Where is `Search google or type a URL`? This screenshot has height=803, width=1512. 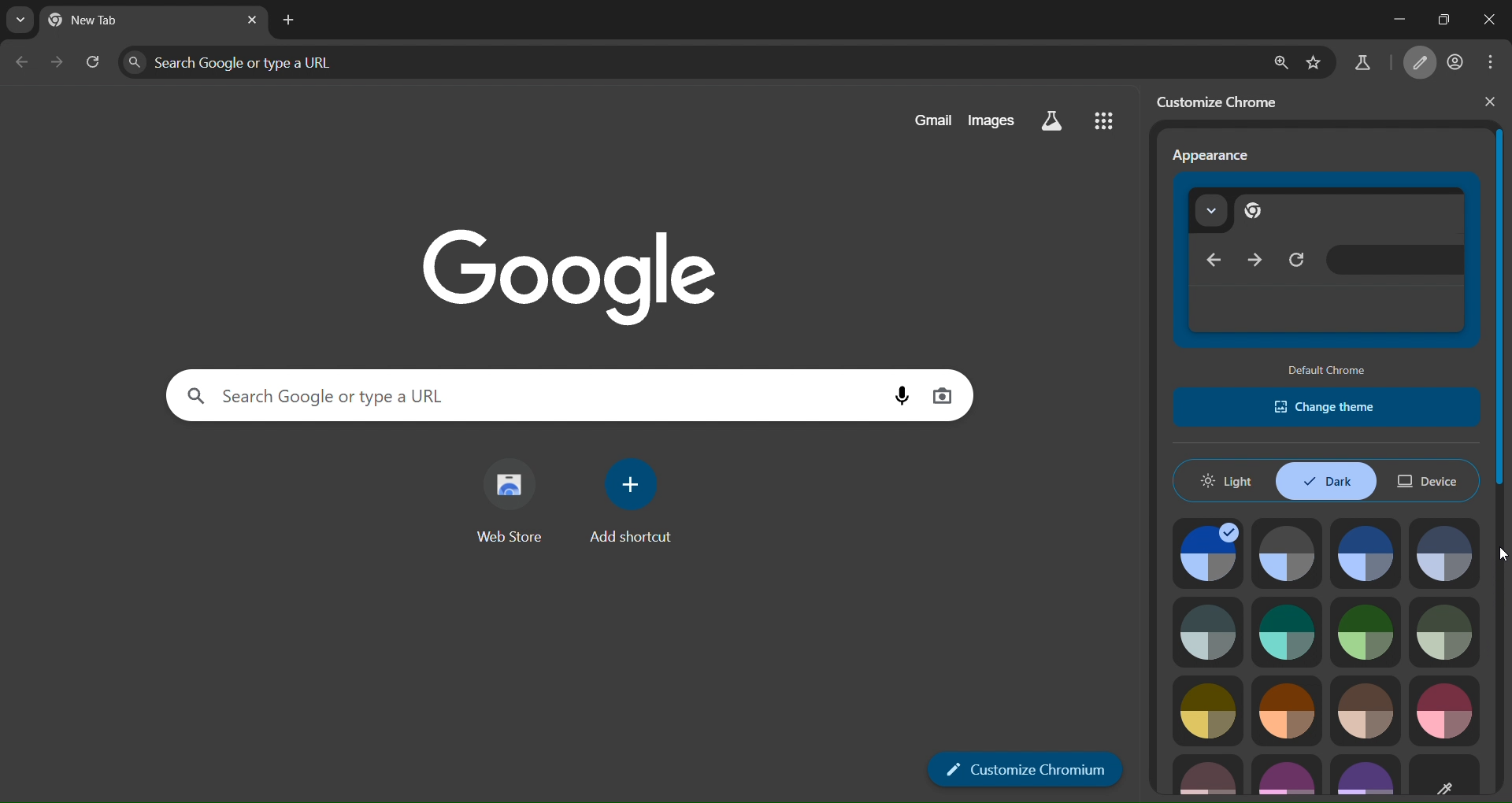 Search google or type a URL is located at coordinates (689, 61).